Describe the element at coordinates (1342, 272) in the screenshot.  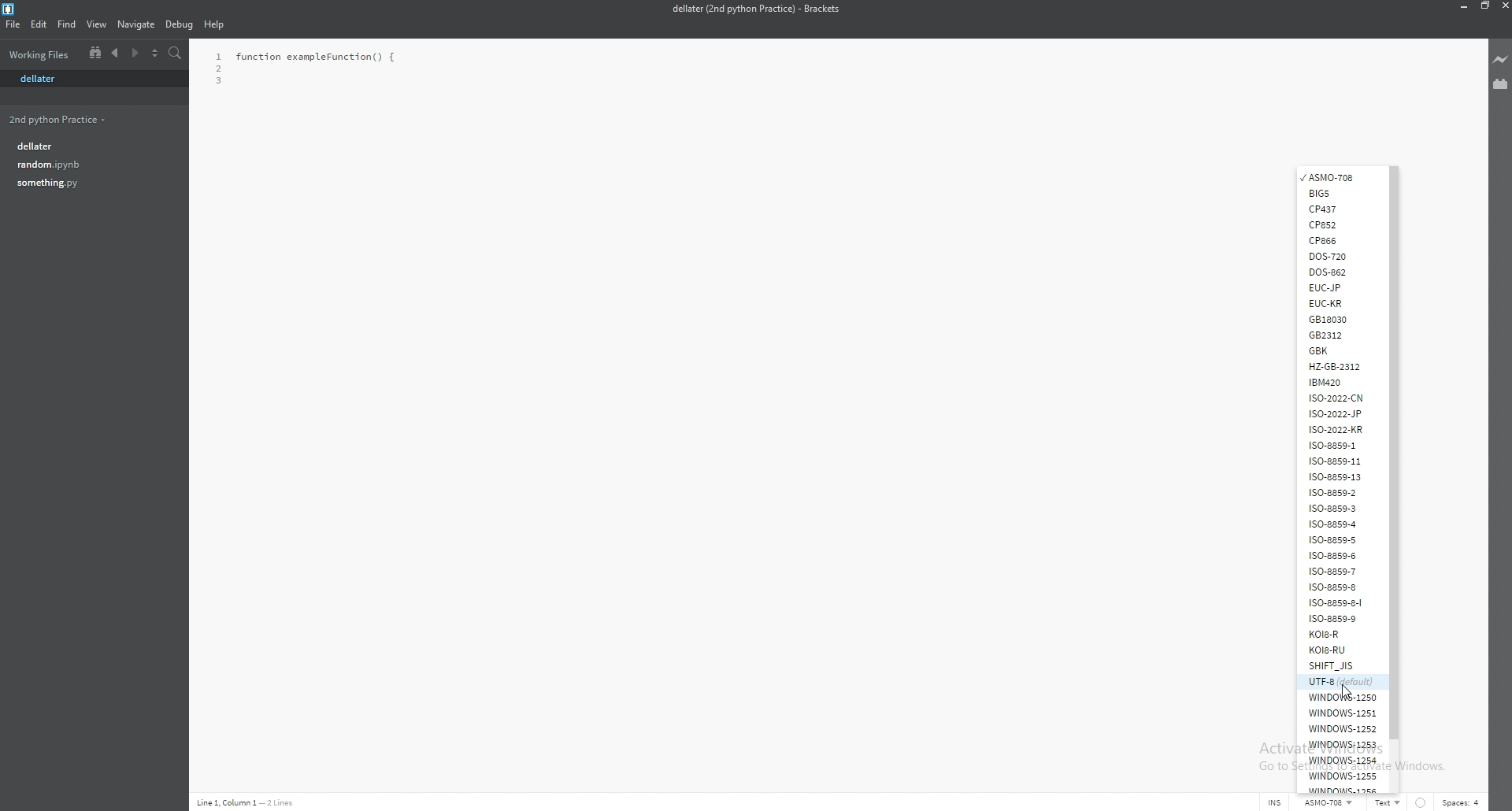
I see `dos862` at that location.